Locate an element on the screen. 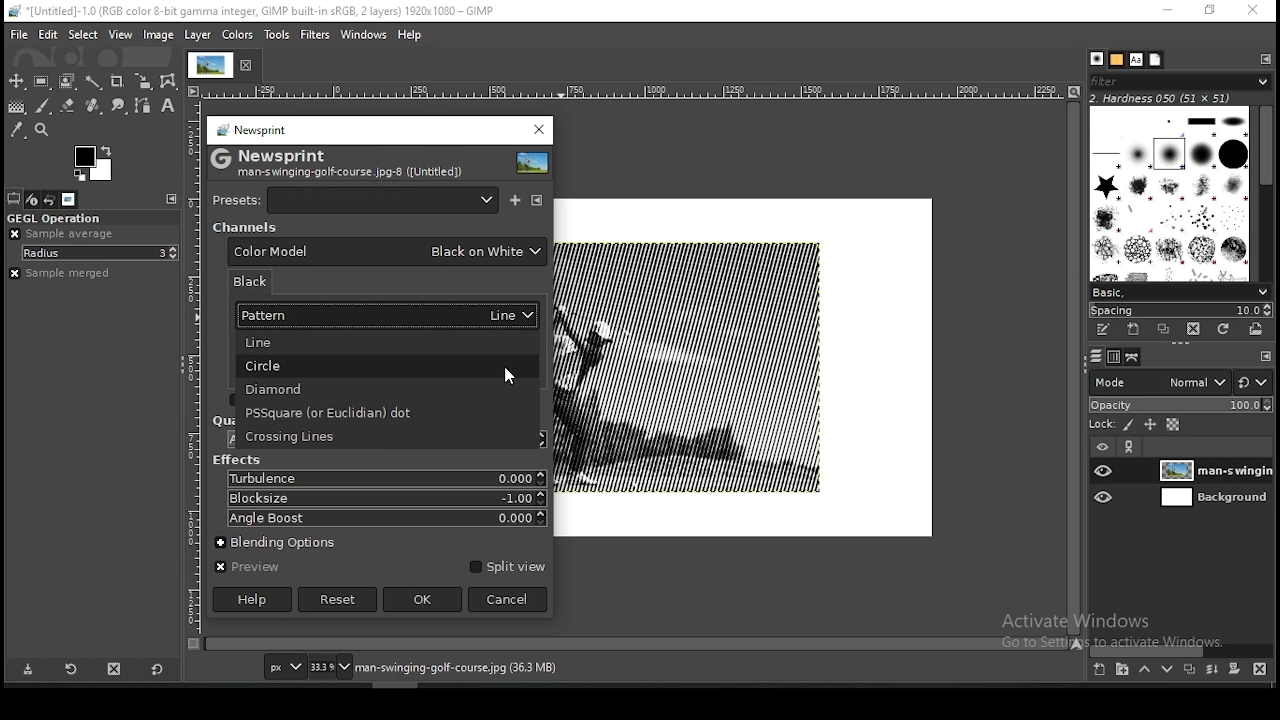  blend mode is located at coordinates (1157, 382).